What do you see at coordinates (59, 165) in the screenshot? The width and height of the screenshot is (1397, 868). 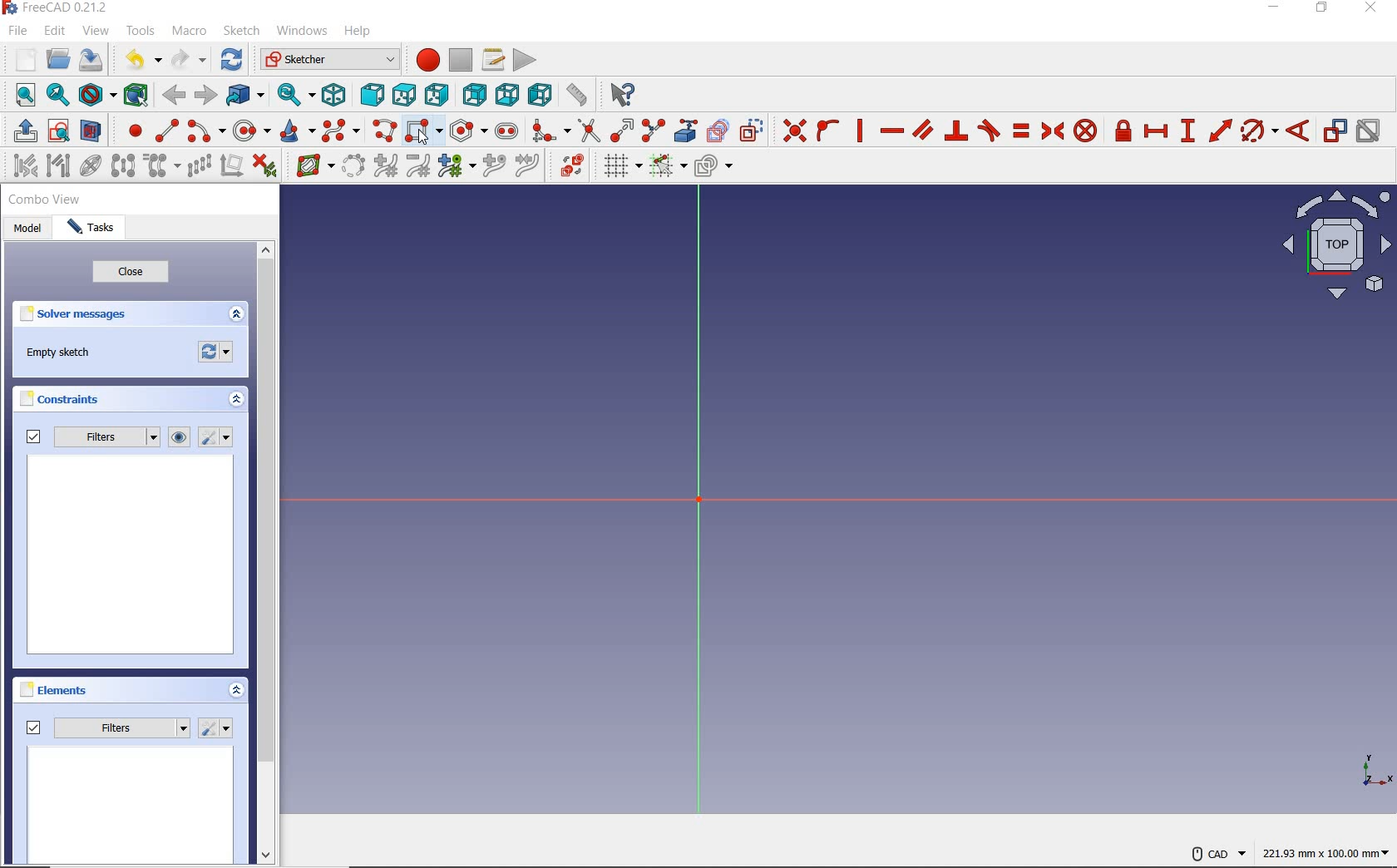 I see `select associated geometry` at bounding box center [59, 165].